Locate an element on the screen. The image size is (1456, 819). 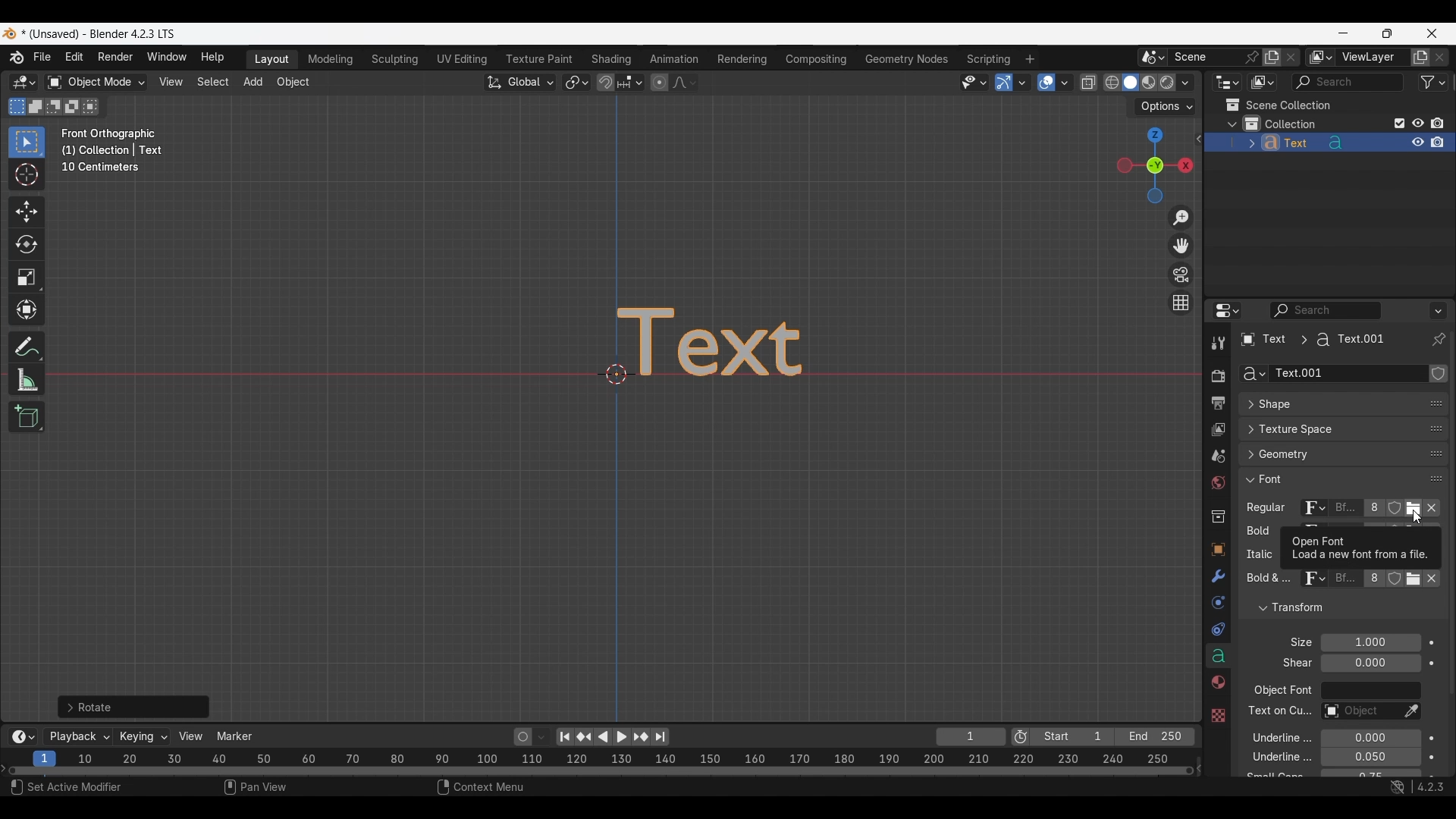
Current frame is located at coordinates (971, 738).